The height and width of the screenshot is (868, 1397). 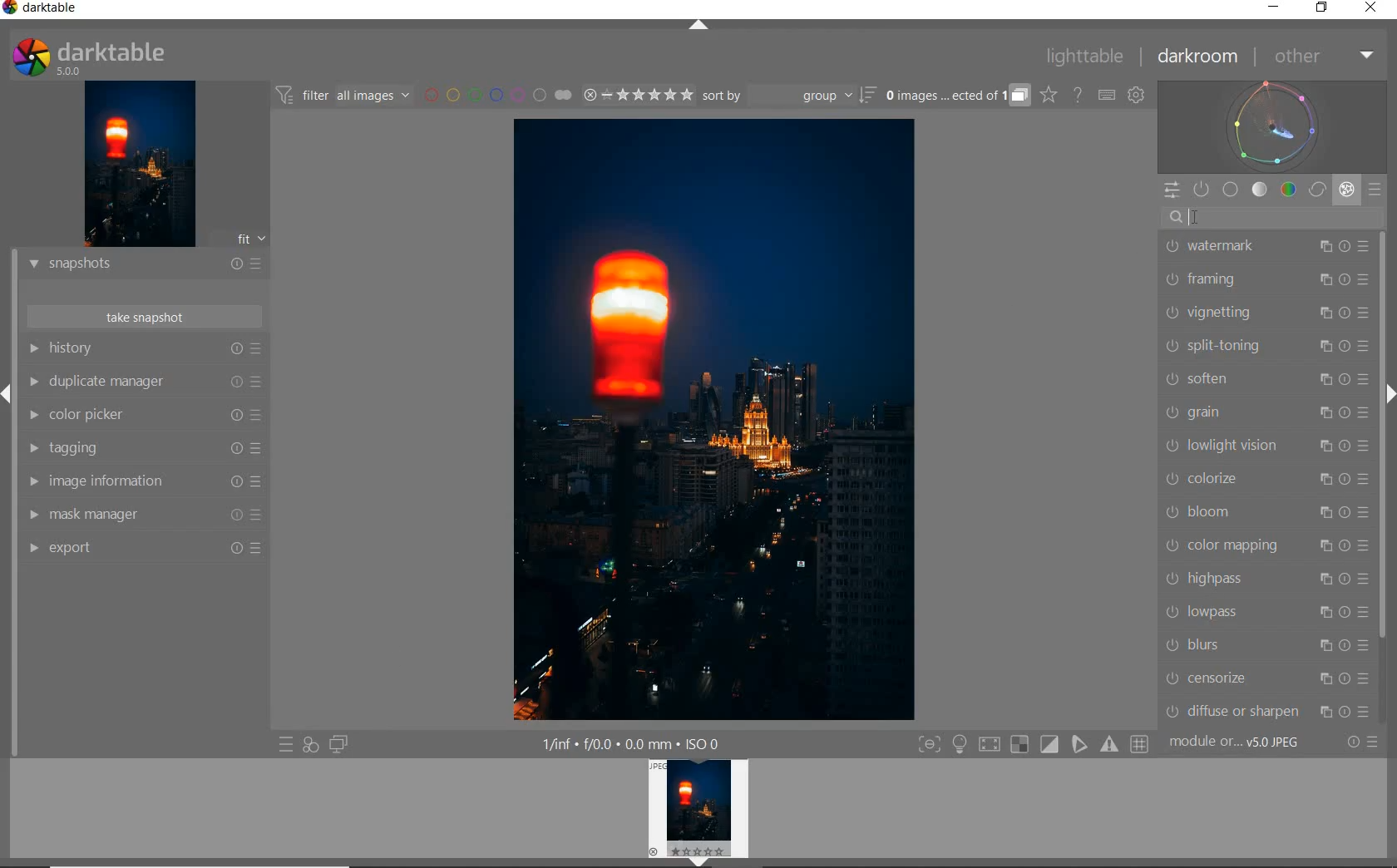 What do you see at coordinates (286, 747) in the screenshot?
I see `QUICK ACCESS TO PRESET` at bounding box center [286, 747].